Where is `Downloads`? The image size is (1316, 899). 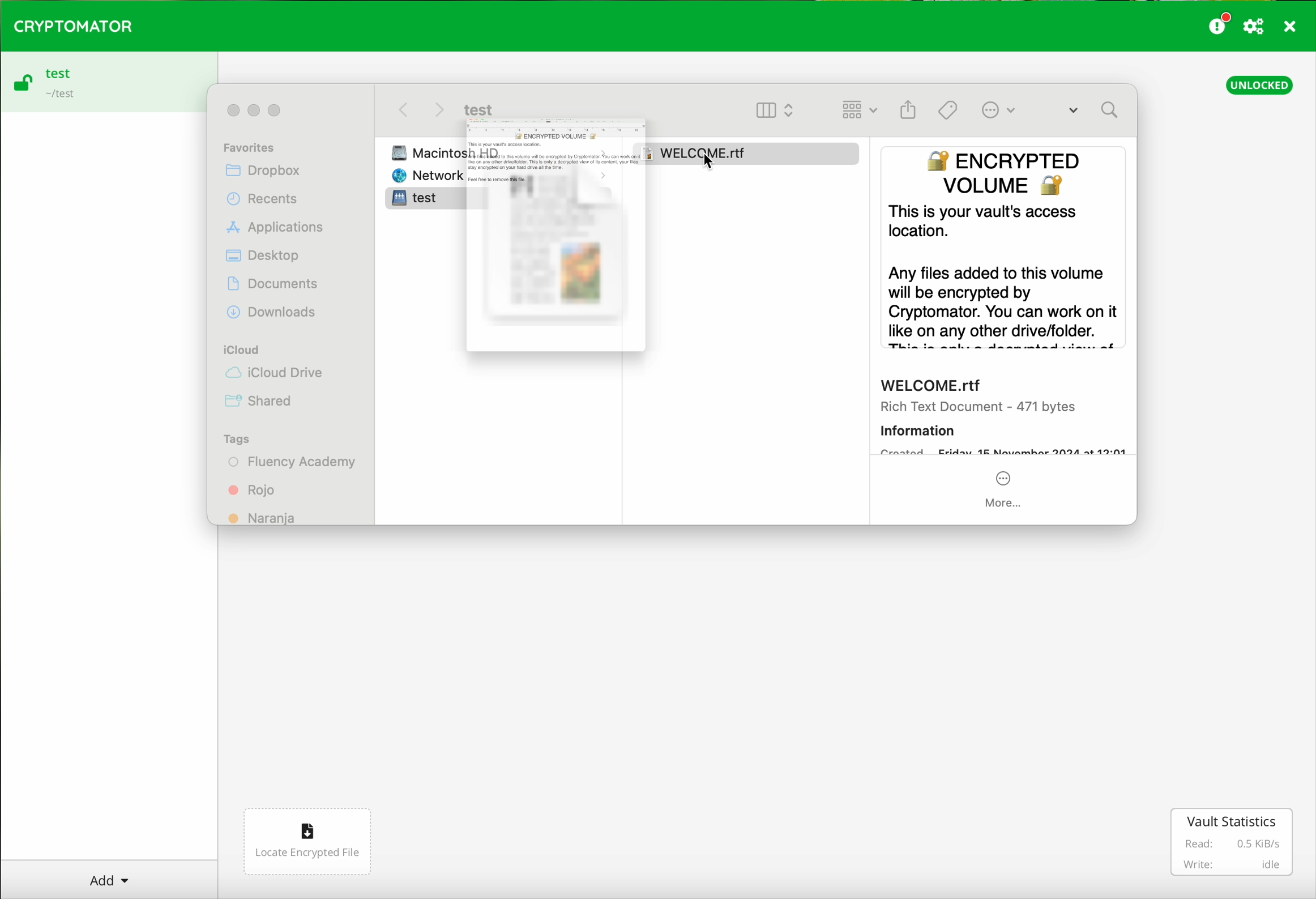
Downloads is located at coordinates (272, 312).